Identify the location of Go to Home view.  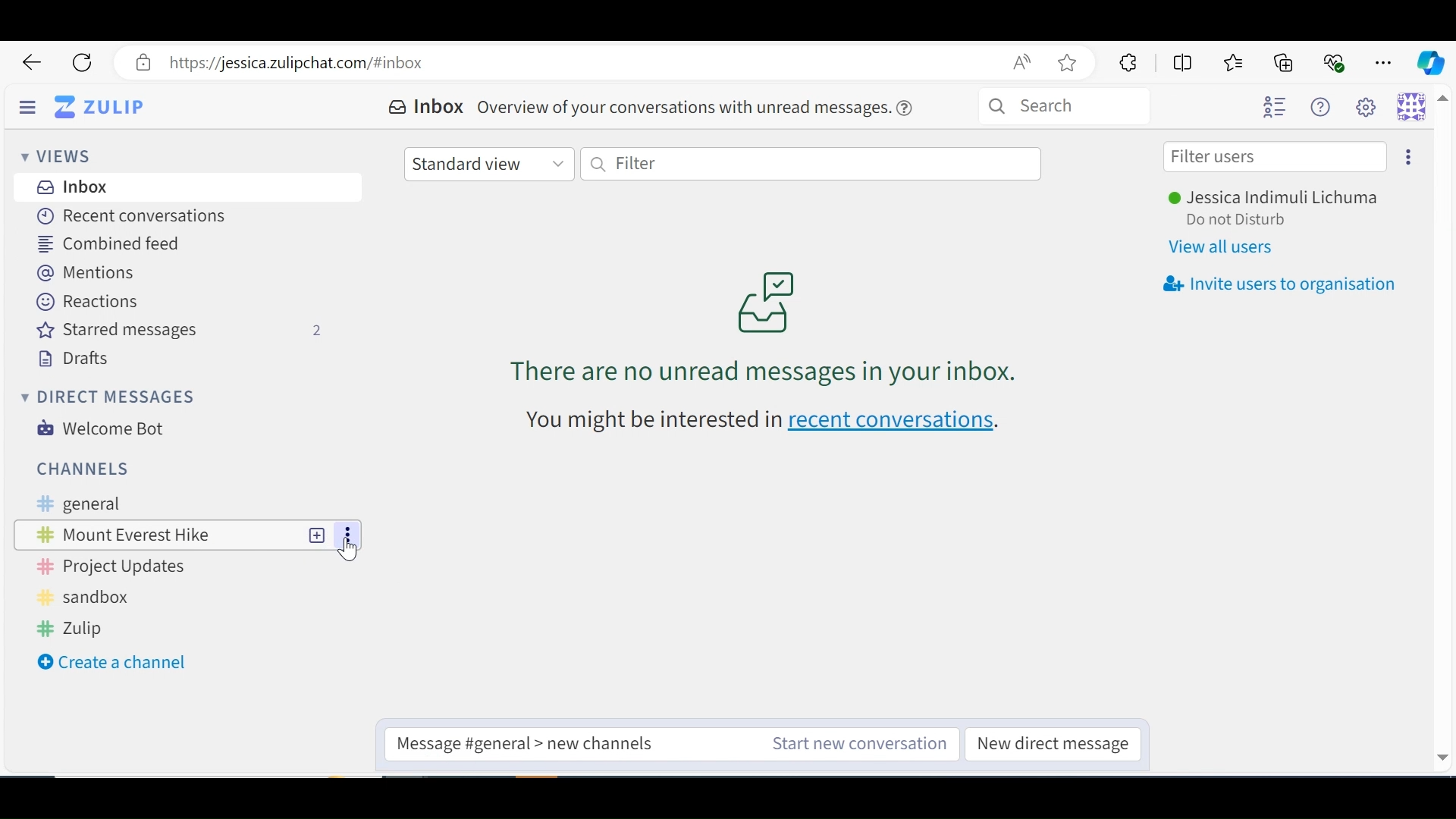
(111, 106).